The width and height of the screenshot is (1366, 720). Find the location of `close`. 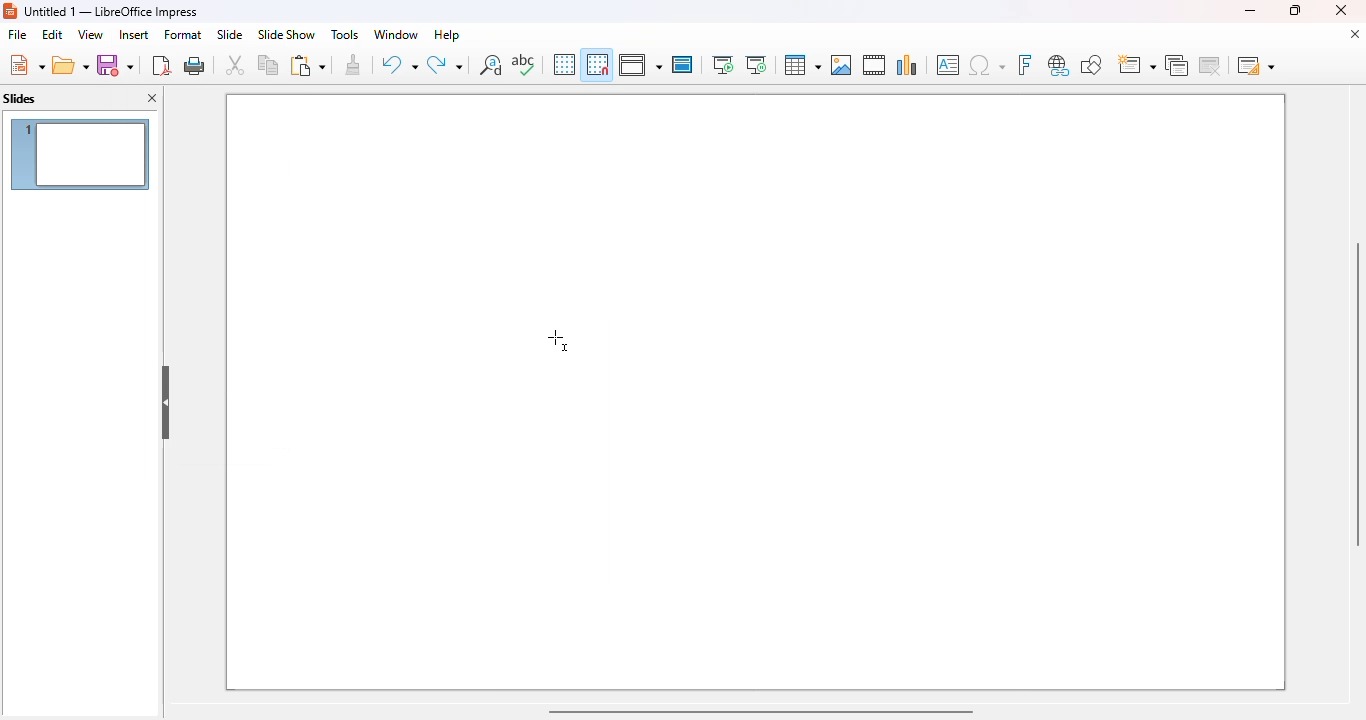

close is located at coordinates (1341, 10).